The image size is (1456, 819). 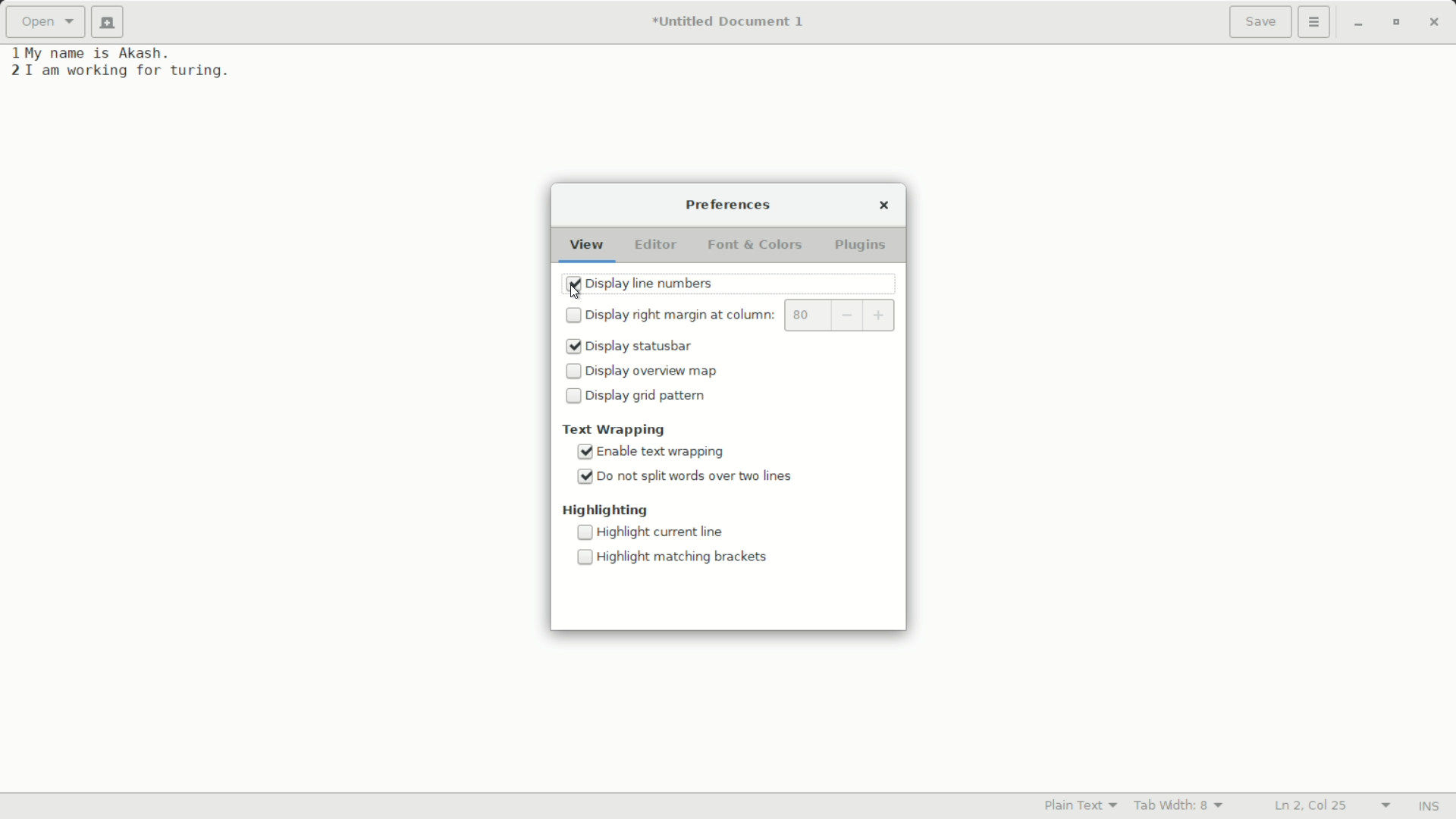 I want to click on lines and columns, so click(x=1335, y=806).